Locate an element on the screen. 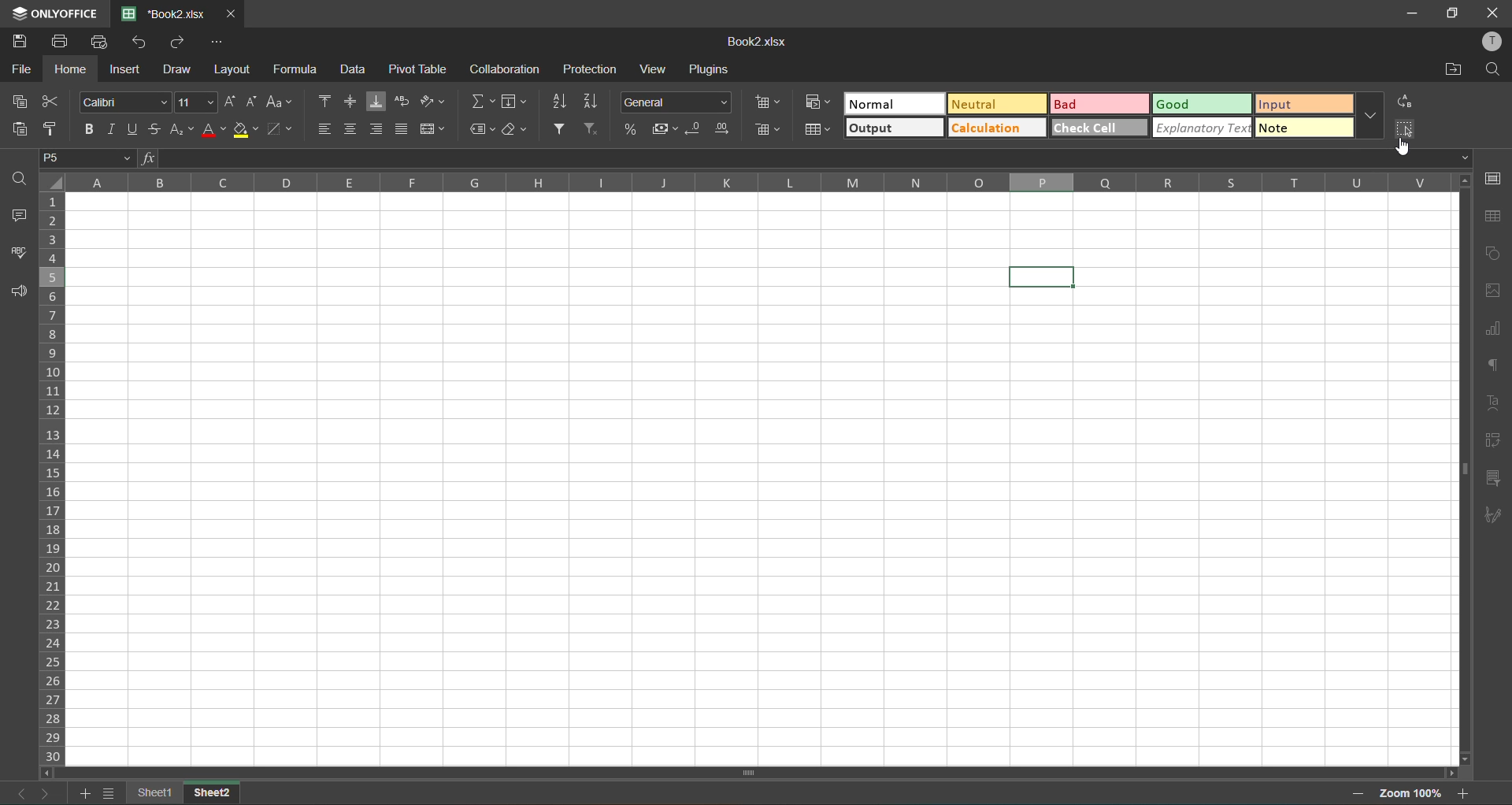 This screenshot has height=805, width=1512. column names is located at coordinates (755, 182).